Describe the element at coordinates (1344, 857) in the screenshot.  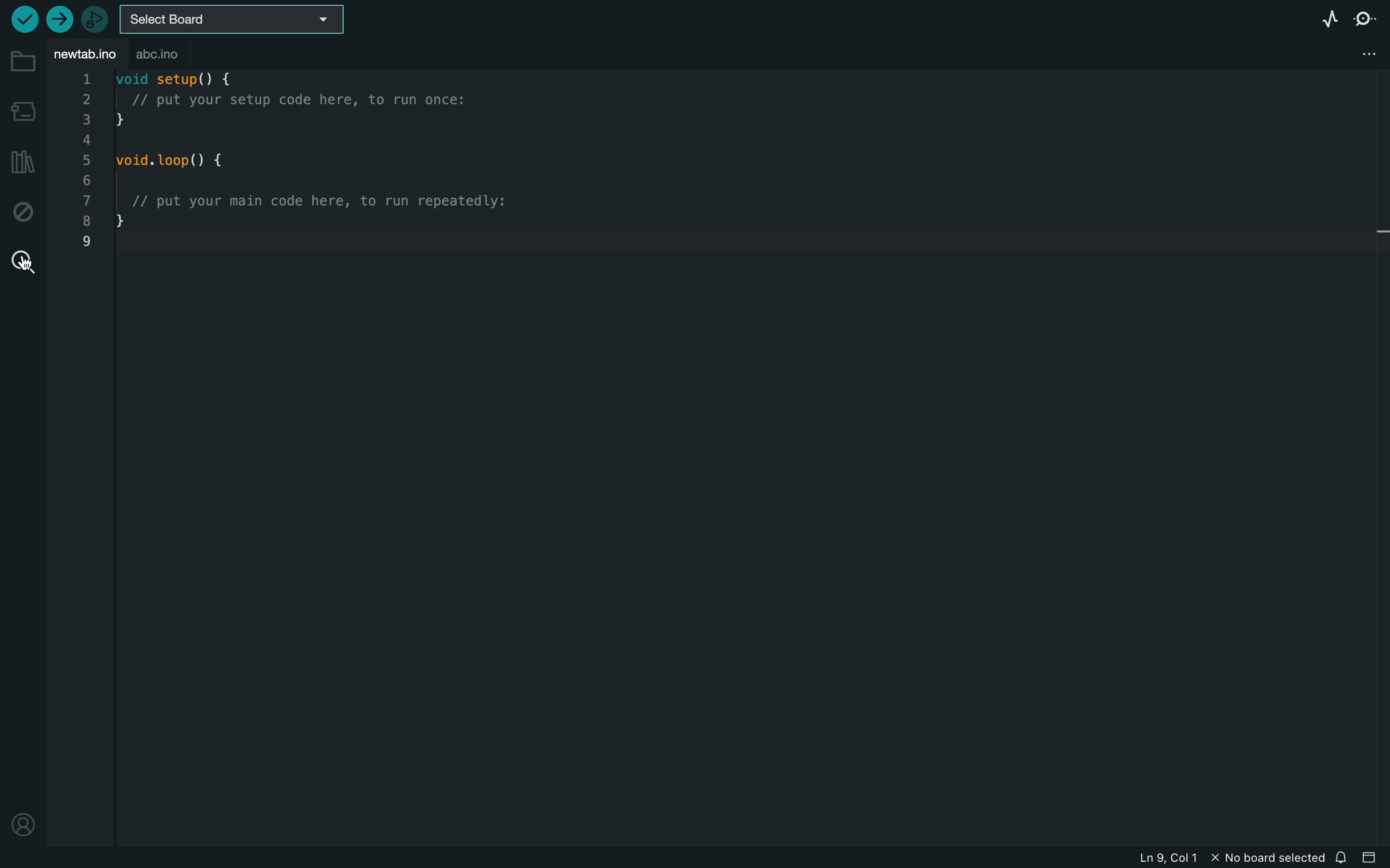
I see `notification` at that location.